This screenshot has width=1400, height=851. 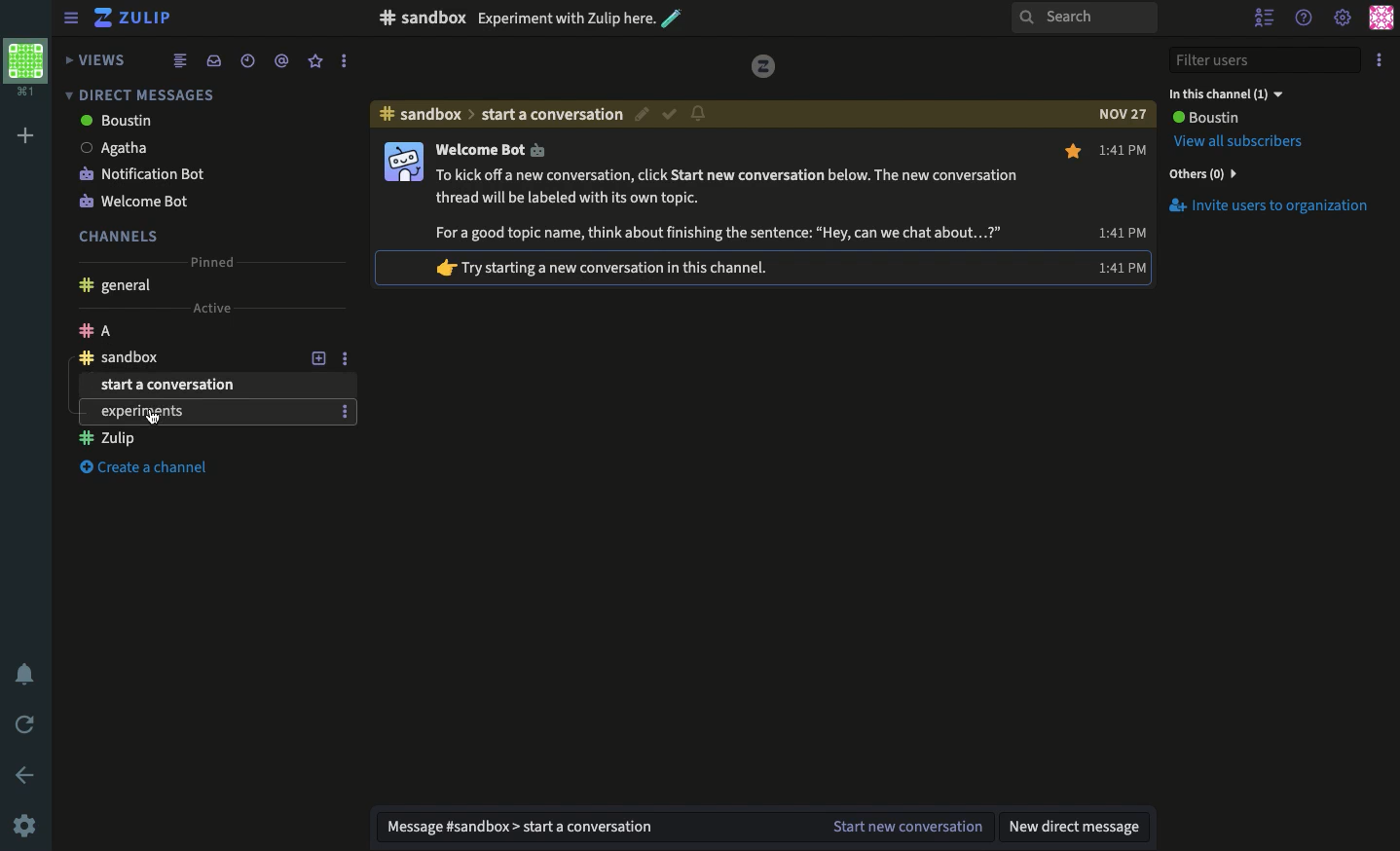 I want to click on Create a channel, so click(x=154, y=469).